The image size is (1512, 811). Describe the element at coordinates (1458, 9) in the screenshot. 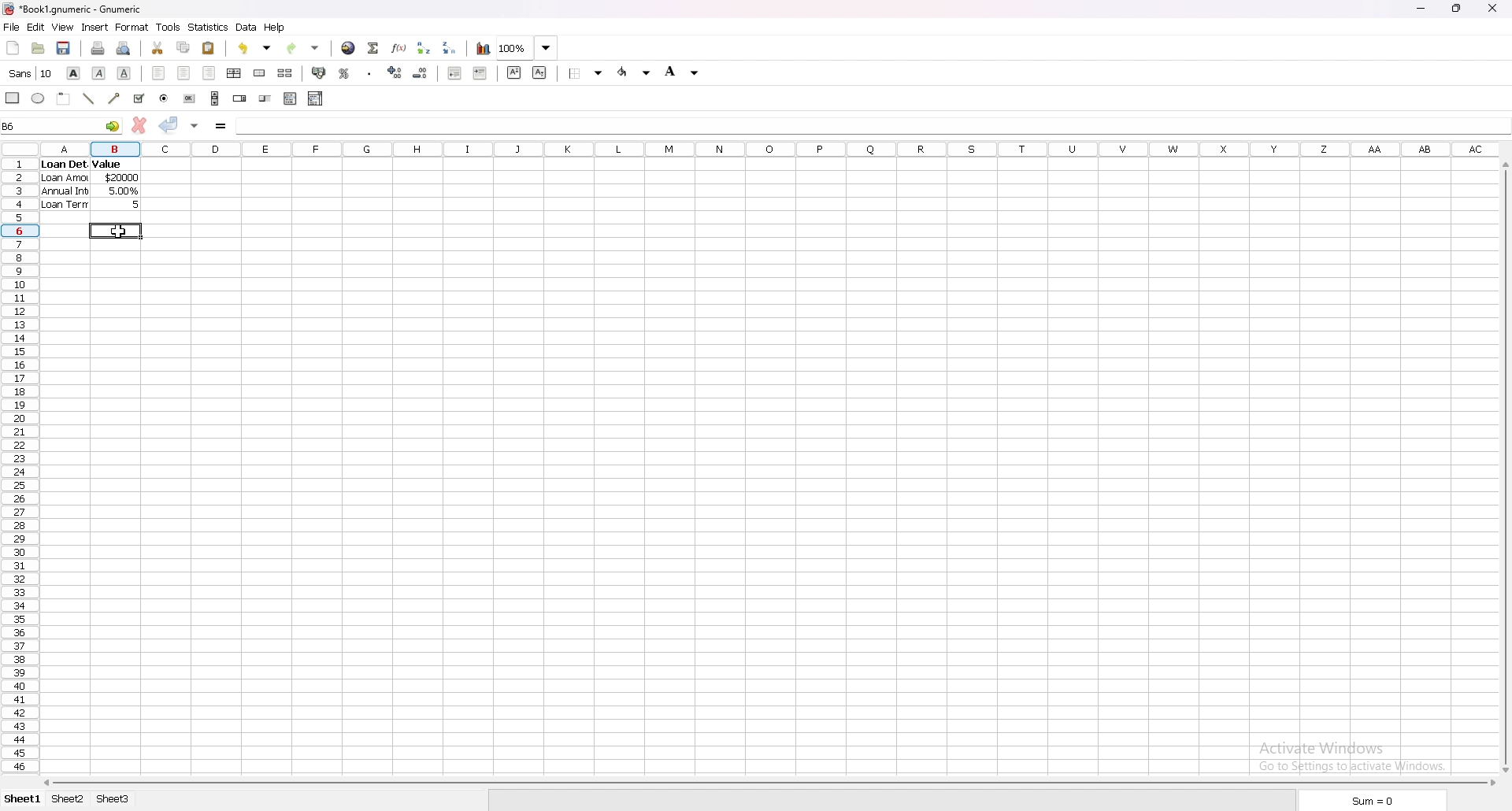

I see `resize` at that location.